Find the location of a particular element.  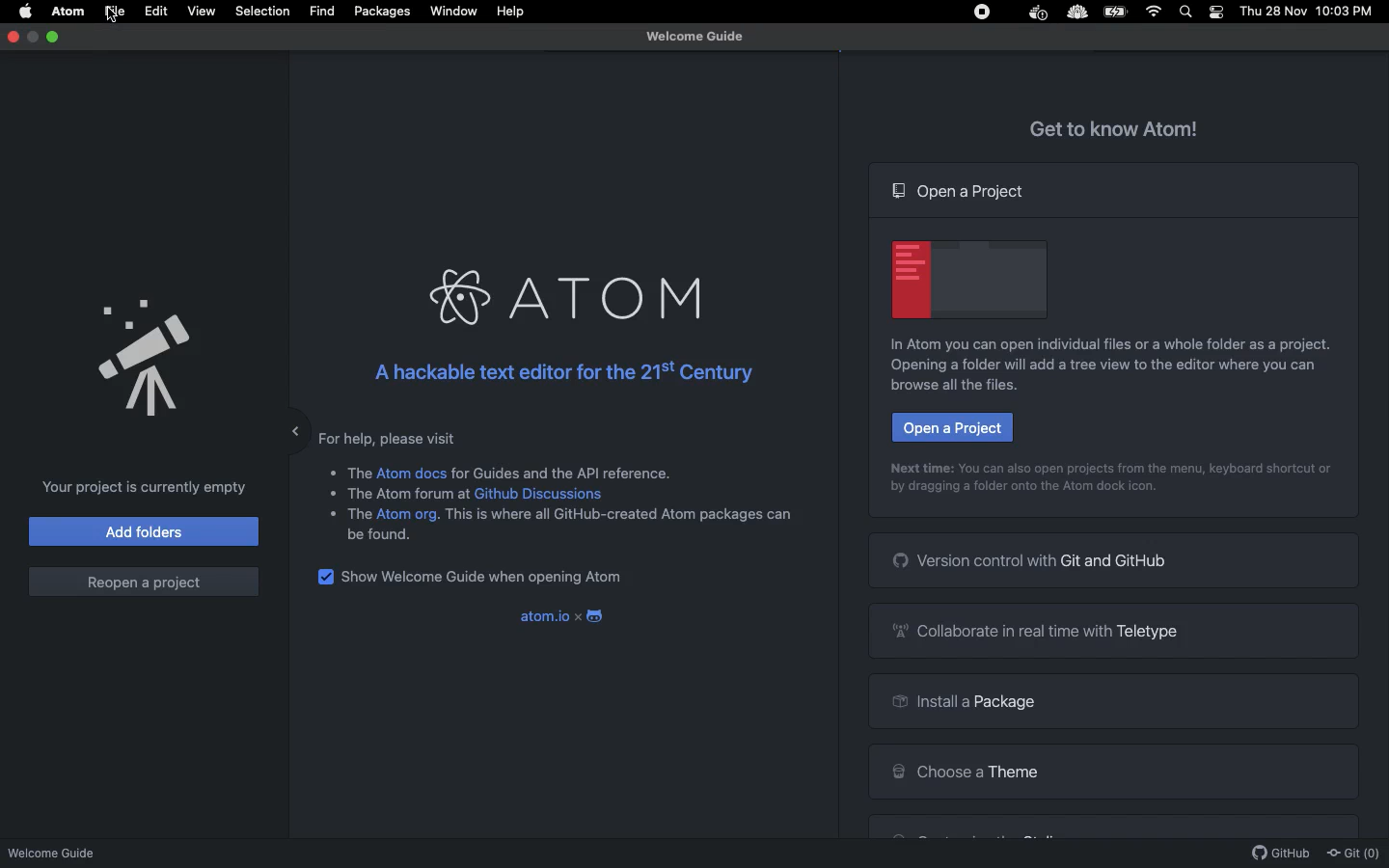

stops is located at coordinates (985, 14).